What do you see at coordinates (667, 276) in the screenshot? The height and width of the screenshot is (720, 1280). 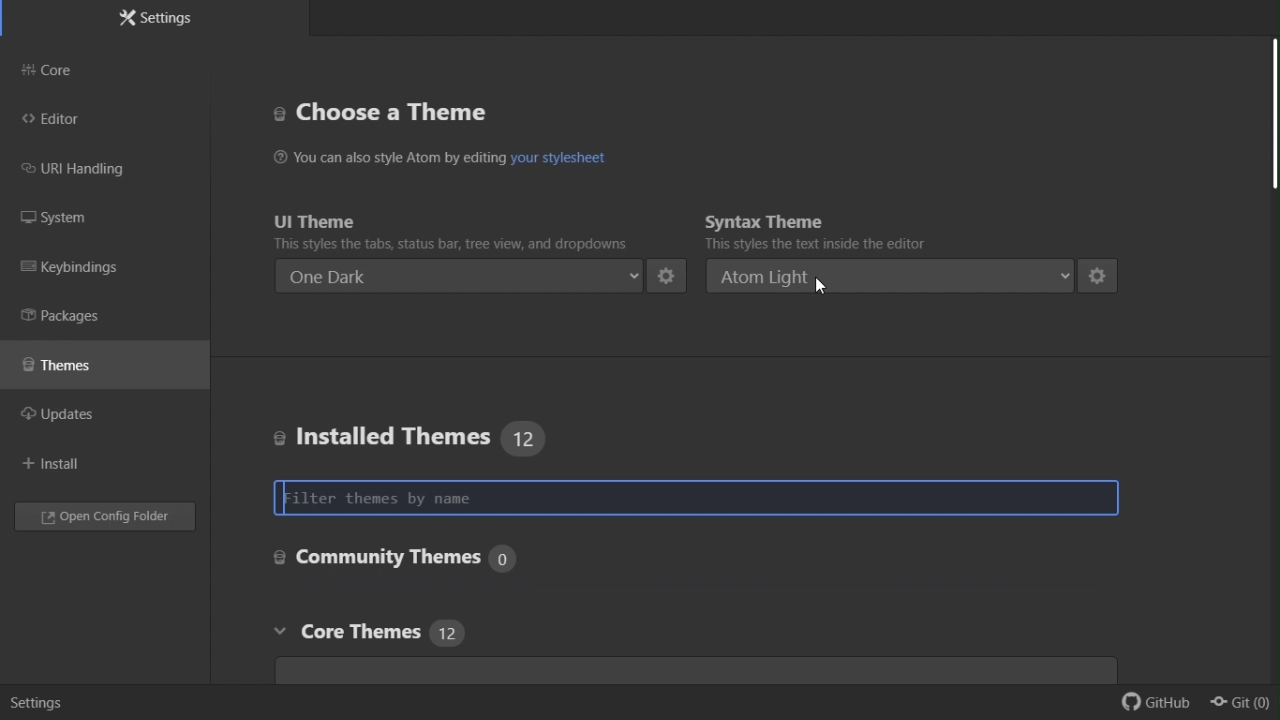 I see `settings` at bounding box center [667, 276].